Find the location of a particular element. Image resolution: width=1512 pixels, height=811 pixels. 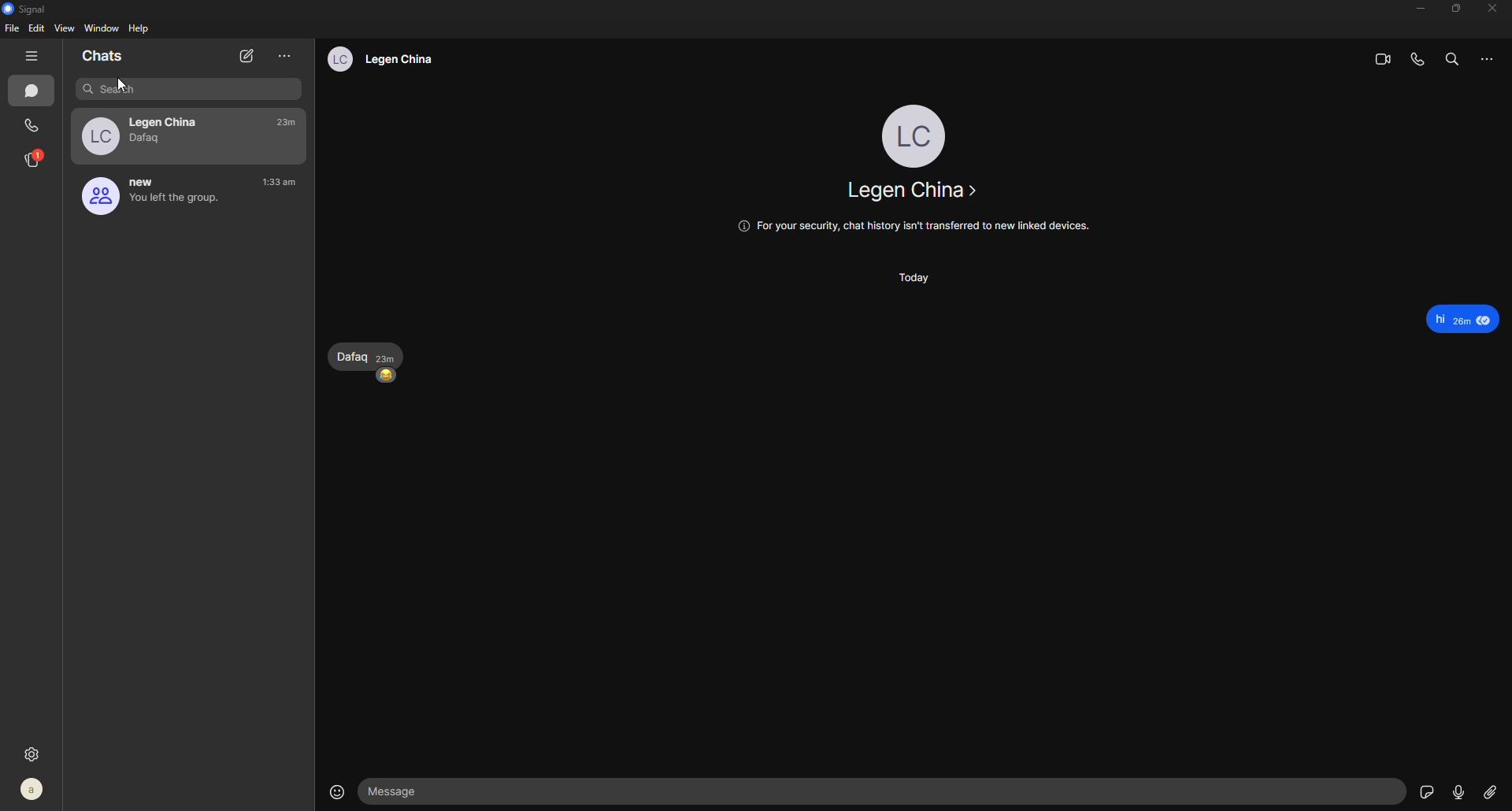

voice call is located at coordinates (1419, 60).